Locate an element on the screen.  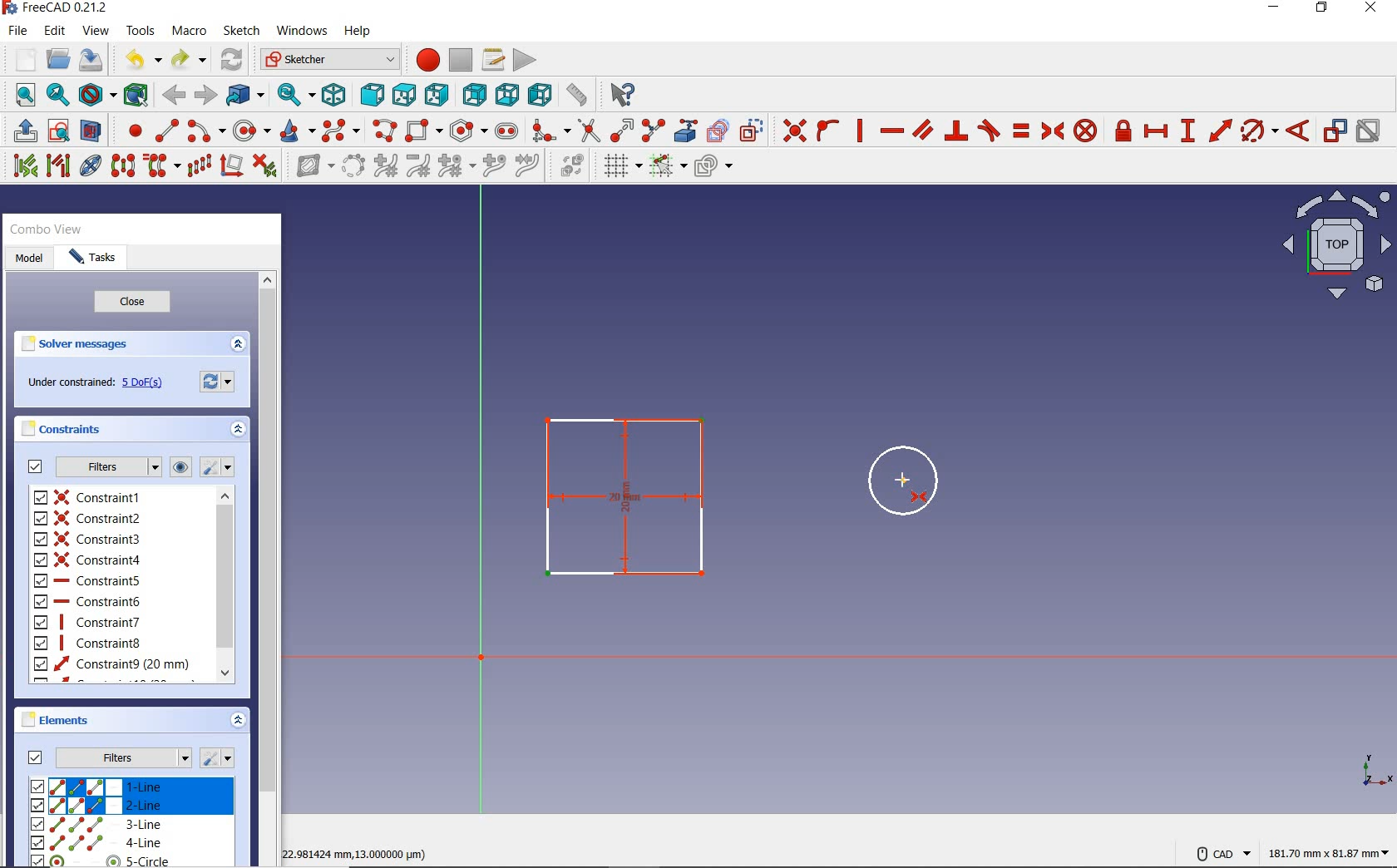
back is located at coordinates (175, 96).